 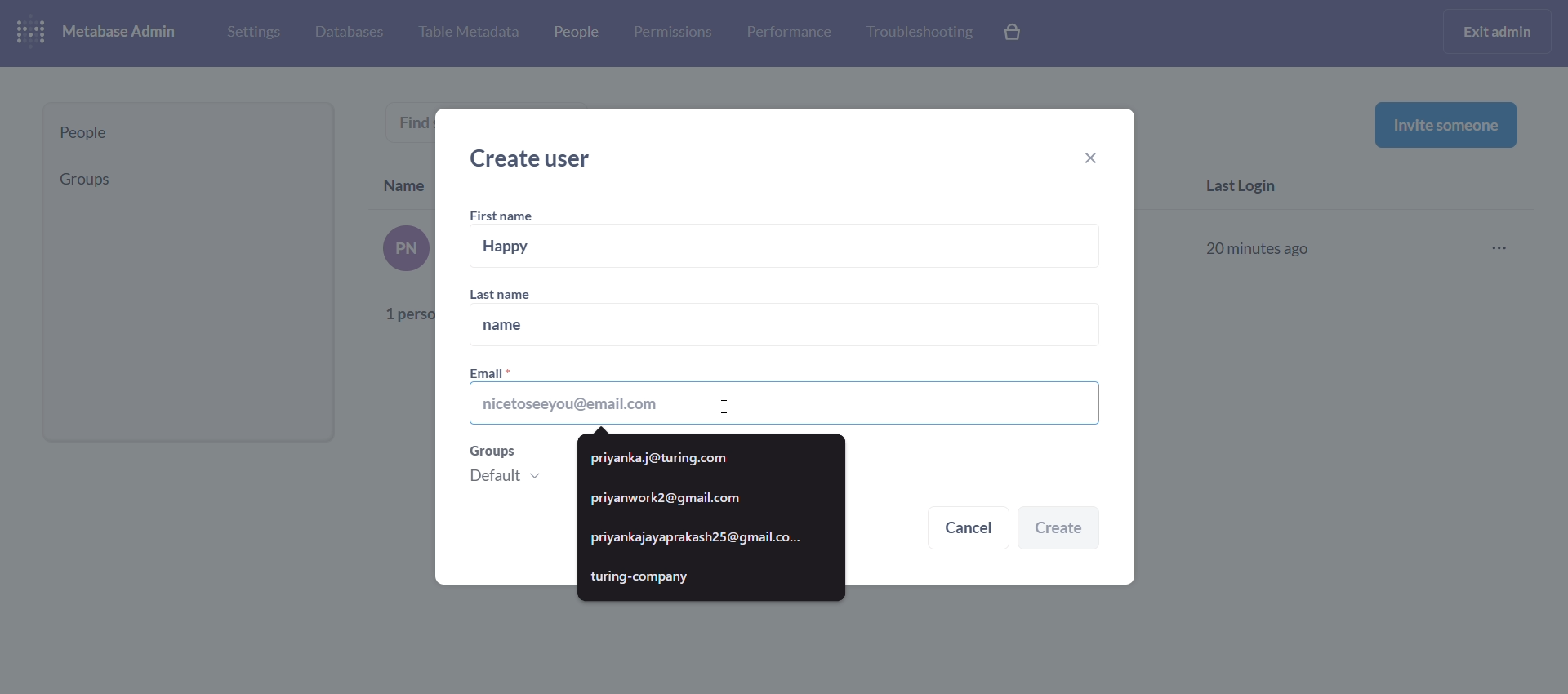 I want to click on logo, so click(x=34, y=33).